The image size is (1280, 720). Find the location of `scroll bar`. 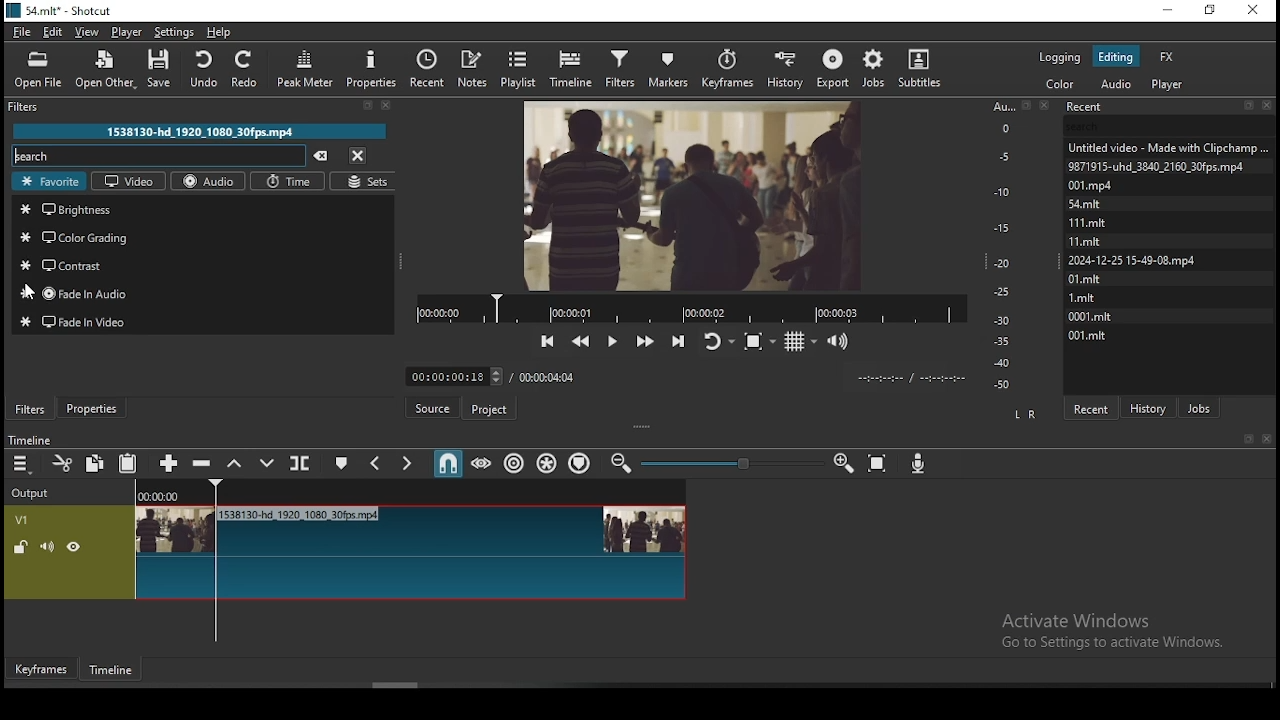

scroll bar is located at coordinates (399, 683).